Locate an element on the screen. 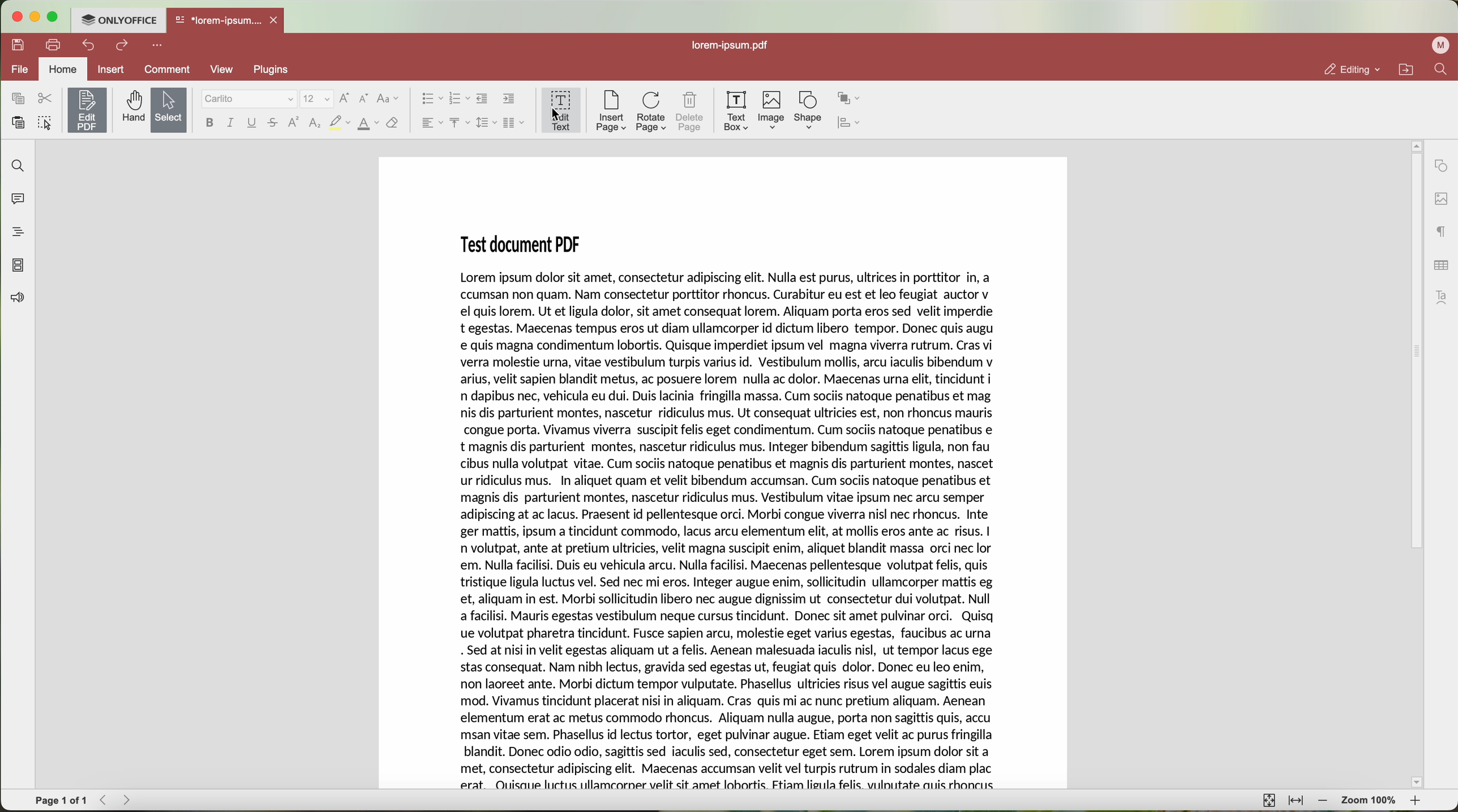  bullet points is located at coordinates (431, 98).